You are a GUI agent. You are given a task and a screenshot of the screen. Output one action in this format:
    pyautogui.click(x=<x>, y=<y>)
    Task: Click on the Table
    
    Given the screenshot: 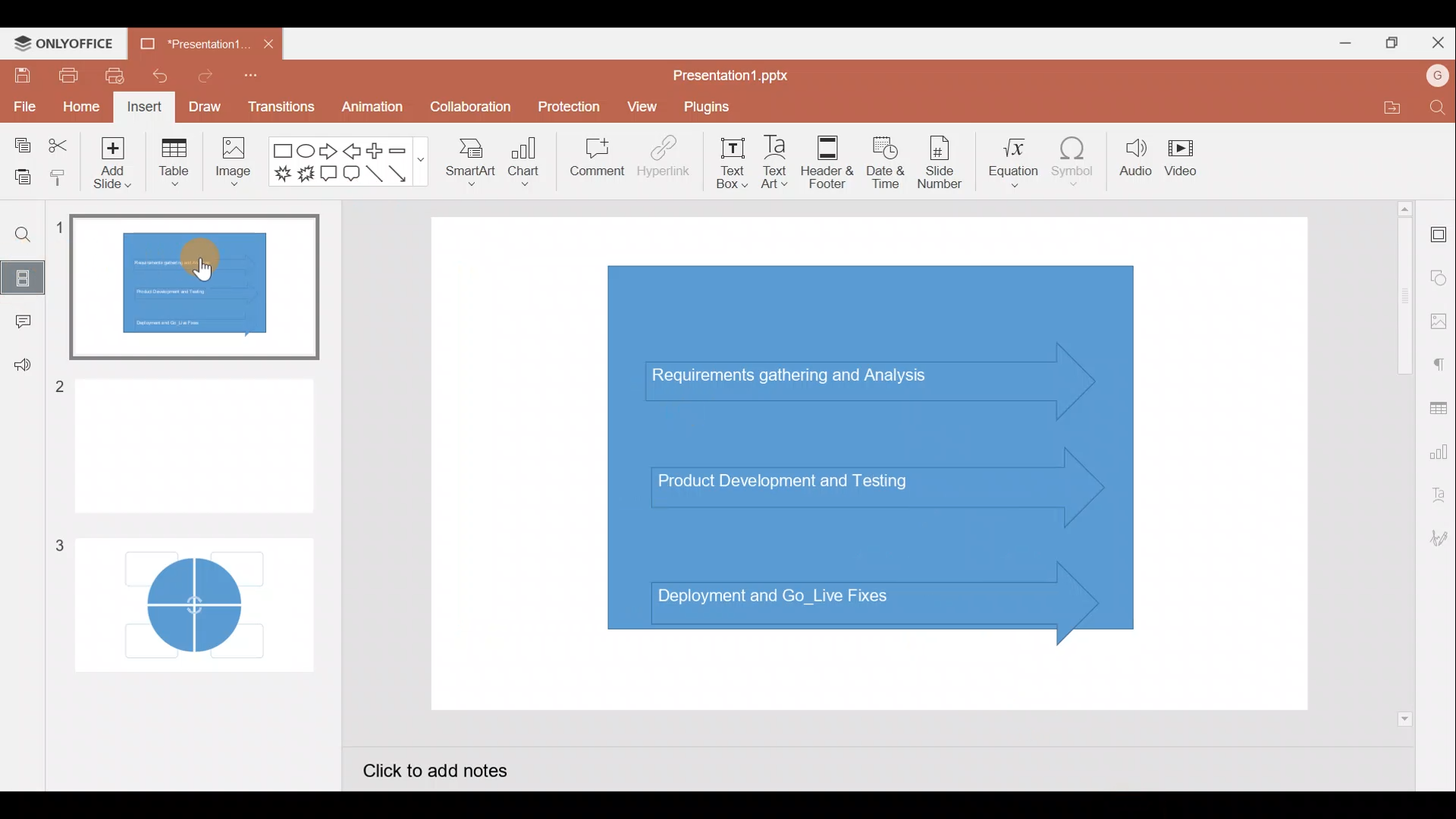 What is the action you would take?
    pyautogui.click(x=174, y=165)
    